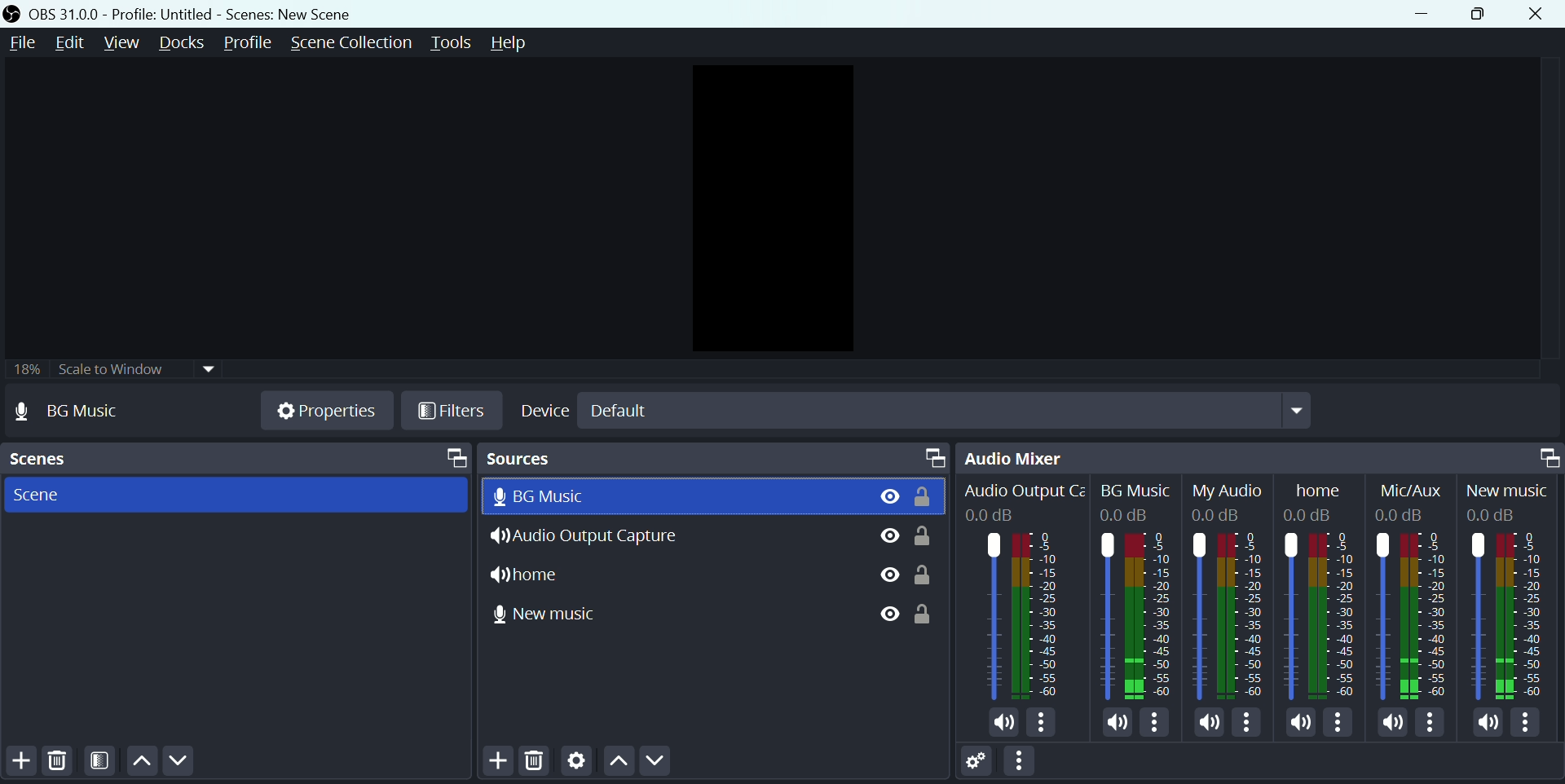 Image resolution: width=1565 pixels, height=784 pixels. I want to click on Settings, so click(573, 764).